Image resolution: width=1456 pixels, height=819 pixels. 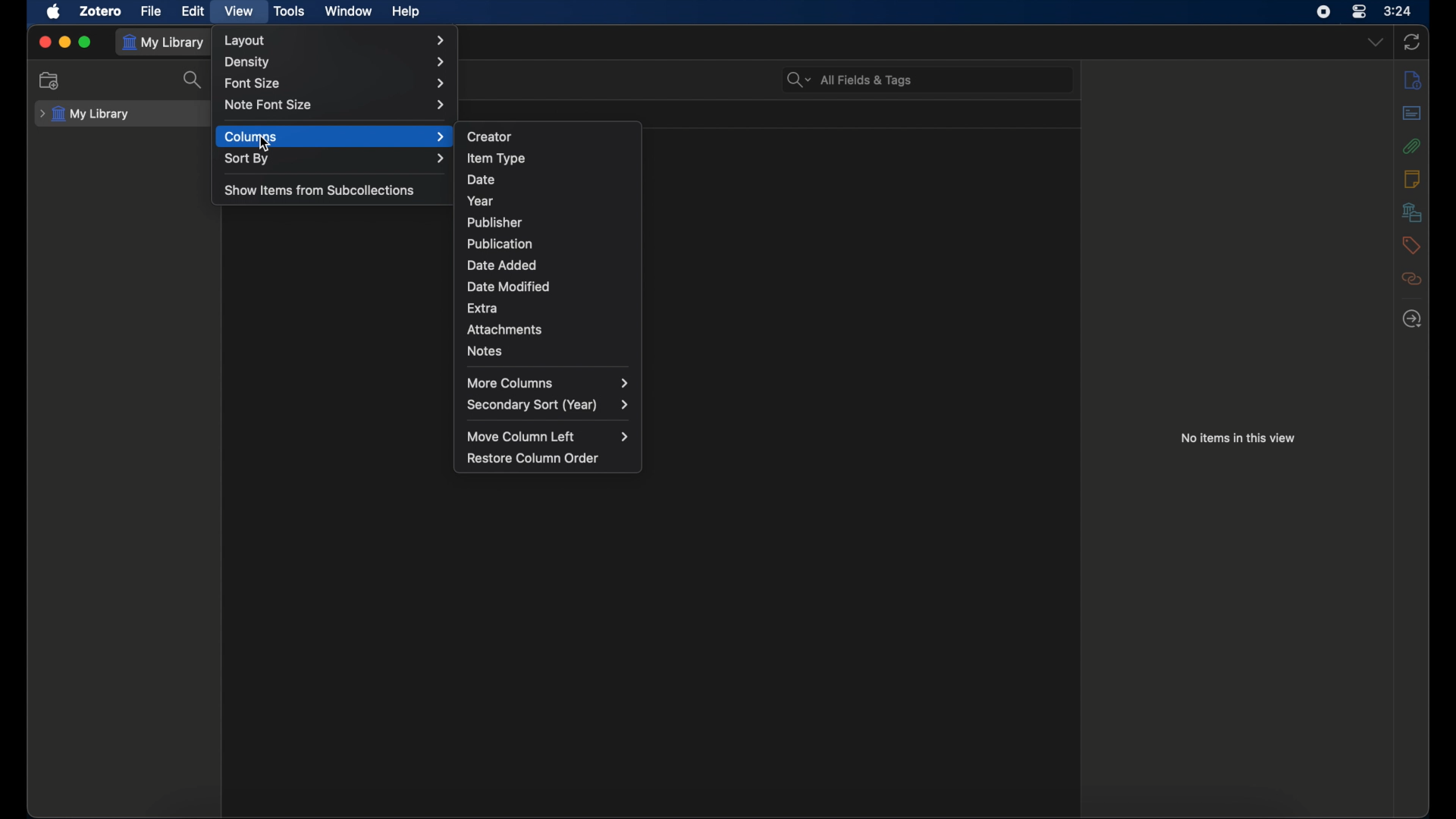 I want to click on no items in this view, so click(x=1238, y=437).